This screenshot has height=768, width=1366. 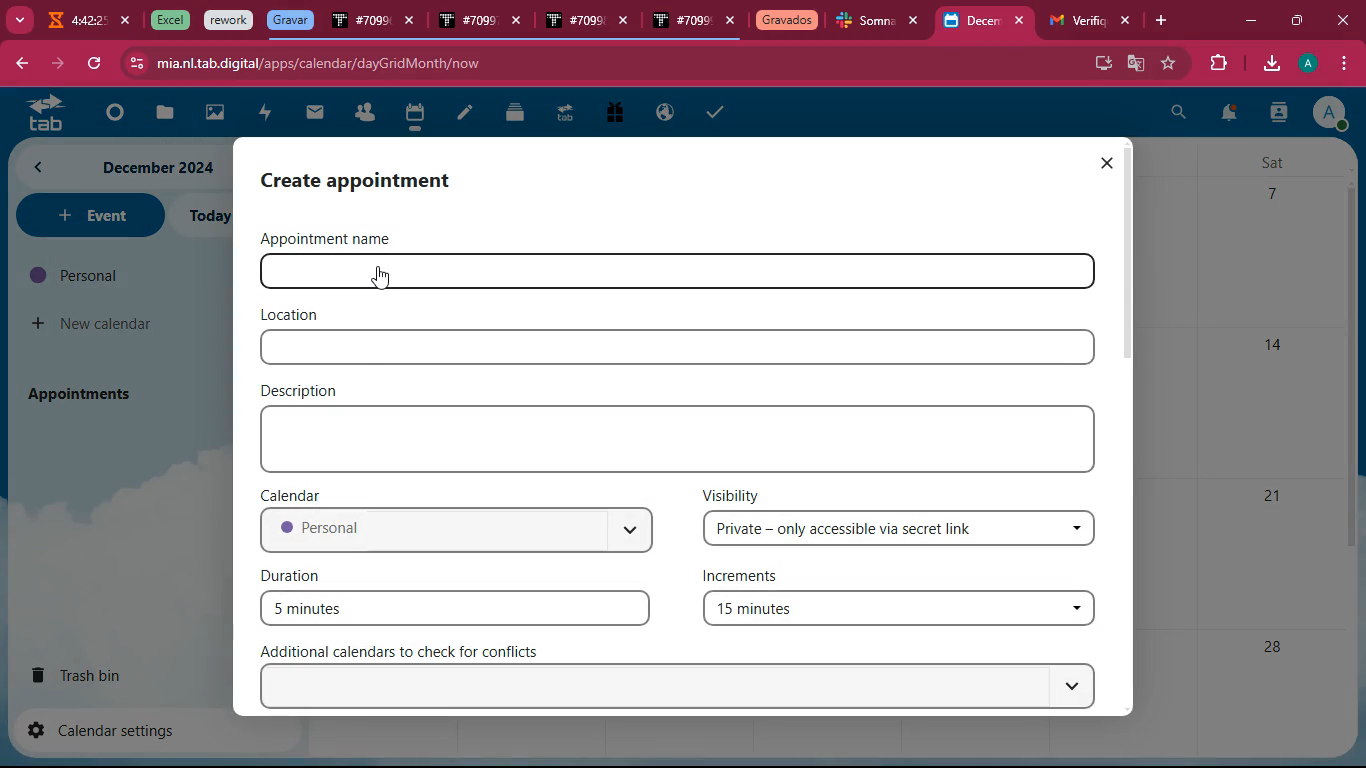 I want to click on type, so click(x=677, y=348).